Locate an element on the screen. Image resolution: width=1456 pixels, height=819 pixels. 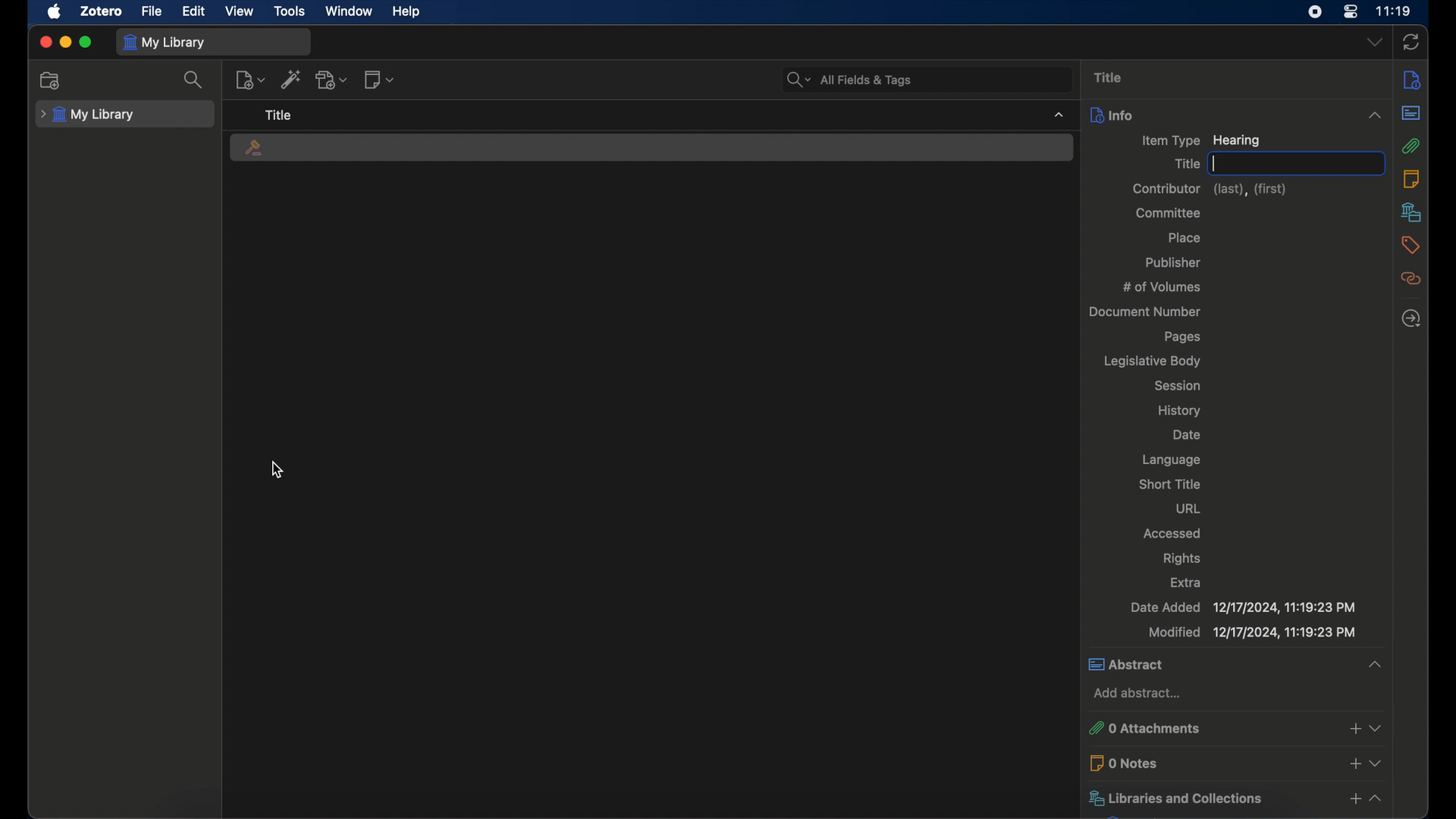
add abstract is located at coordinates (1138, 694).